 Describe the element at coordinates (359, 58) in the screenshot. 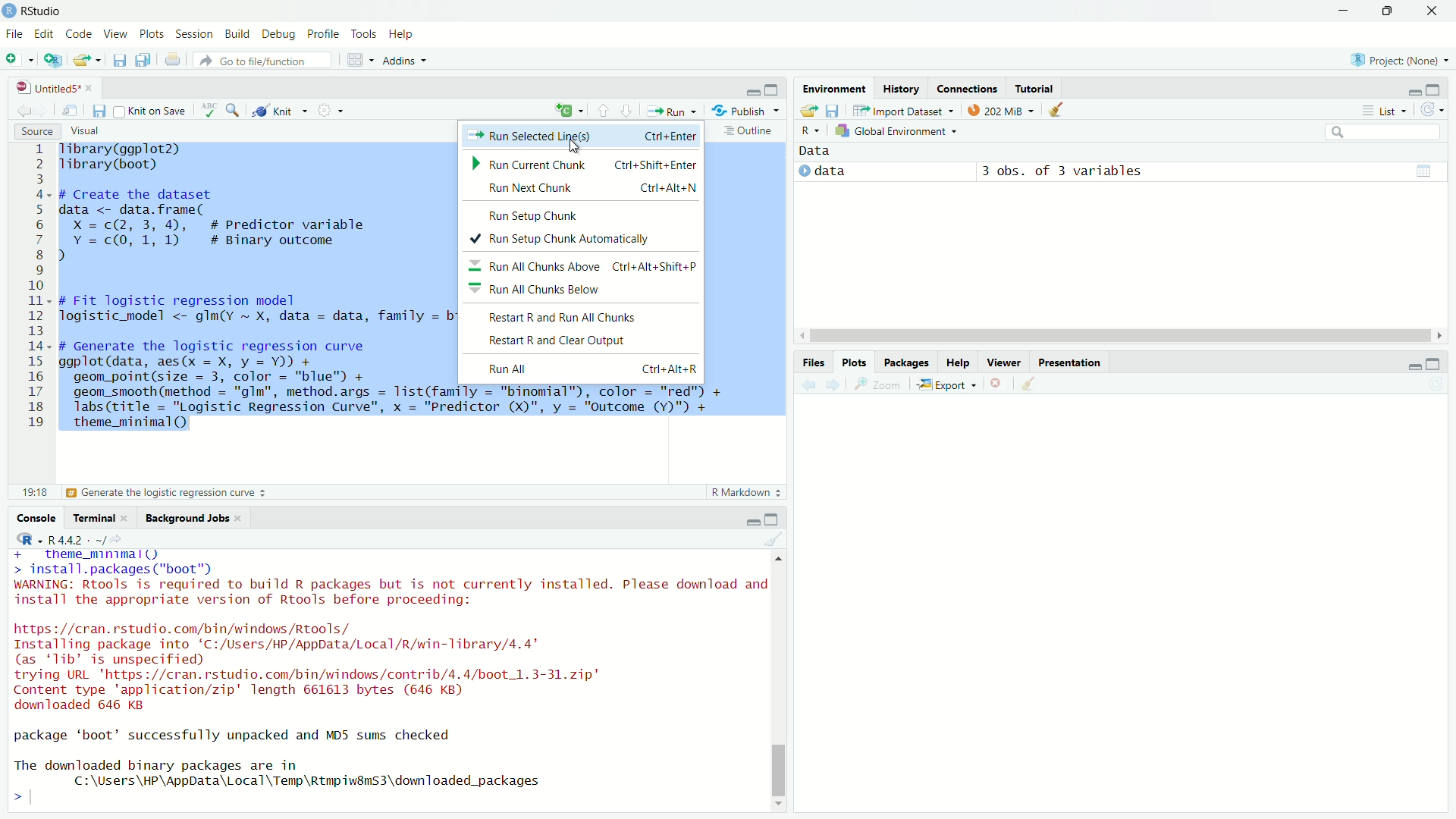

I see `Workspace panes` at that location.